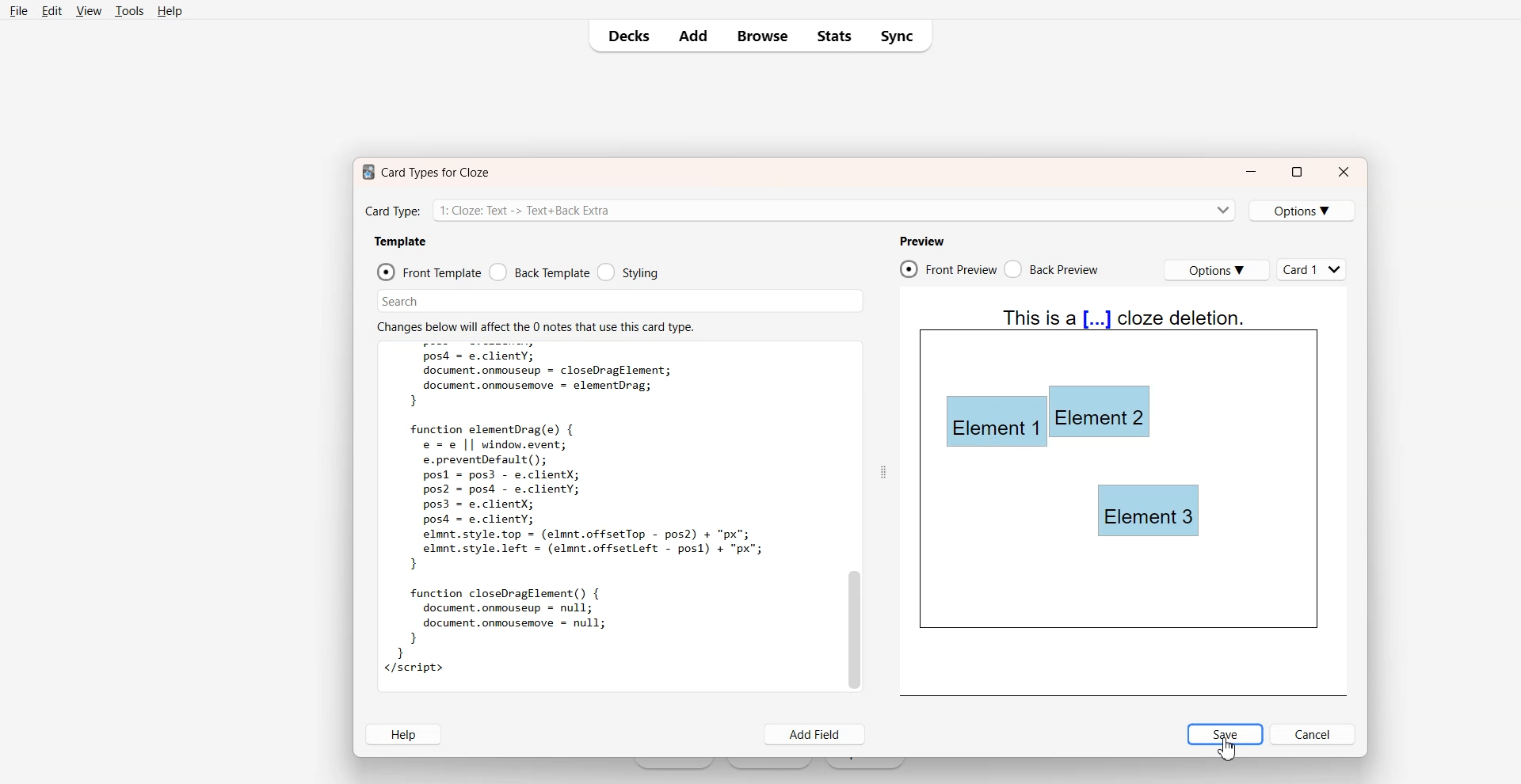 The width and height of the screenshot is (1521, 784). What do you see at coordinates (1149, 511) in the screenshot?
I see `Element 3` at bounding box center [1149, 511].